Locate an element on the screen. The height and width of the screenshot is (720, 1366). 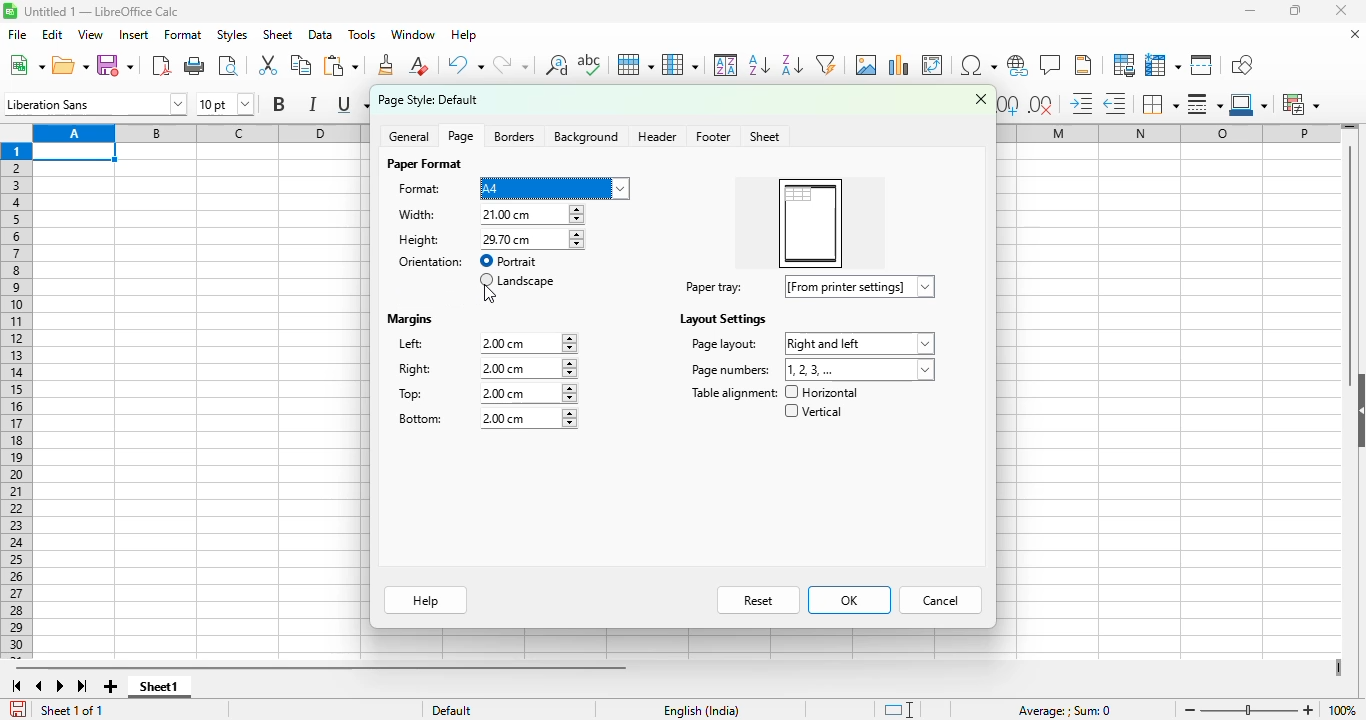
portrait is located at coordinates (509, 261).